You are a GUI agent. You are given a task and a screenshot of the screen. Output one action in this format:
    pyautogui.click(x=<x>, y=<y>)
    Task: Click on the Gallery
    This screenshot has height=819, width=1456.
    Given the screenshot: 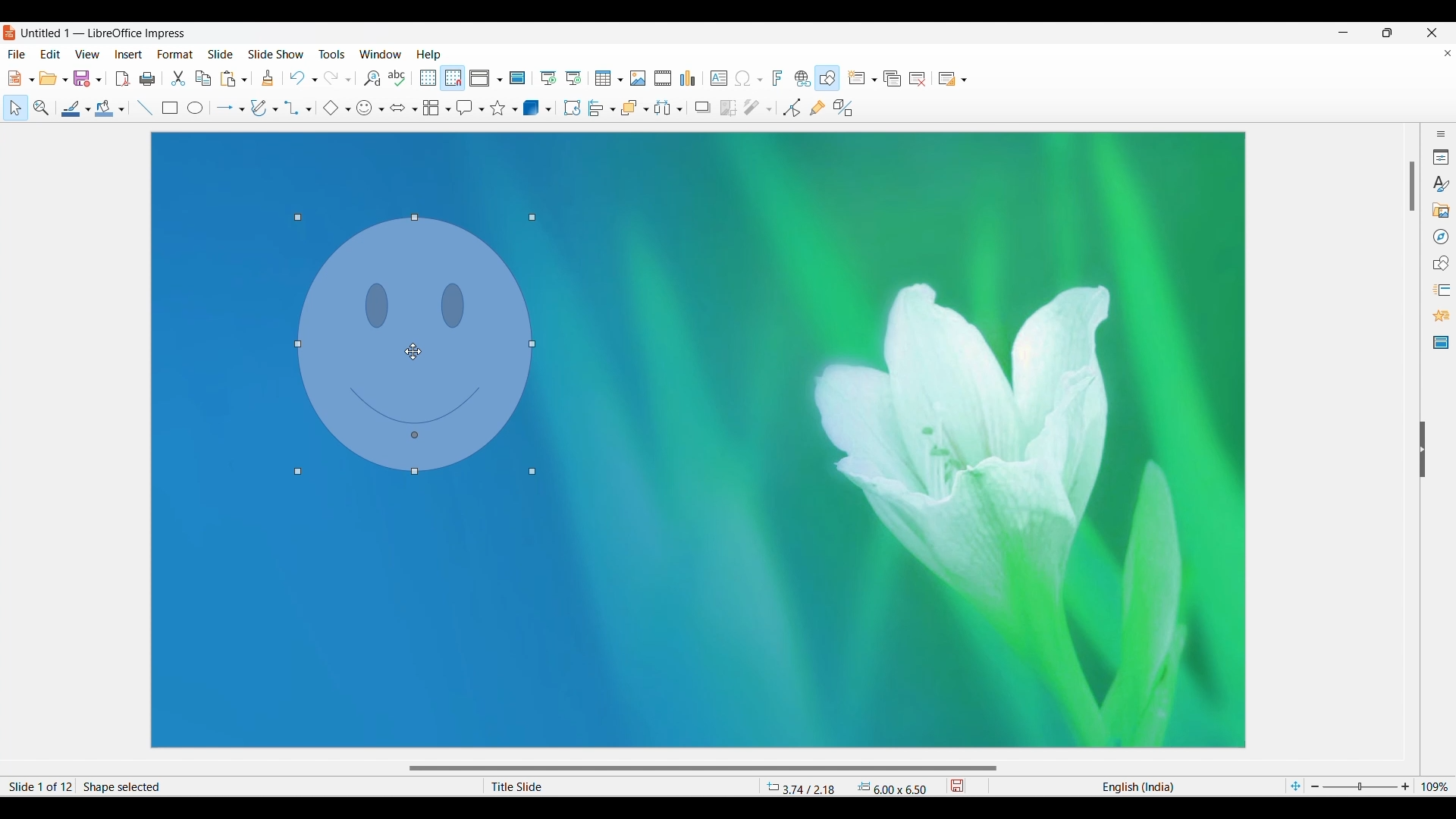 What is the action you would take?
    pyautogui.click(x=1440, y=210)
    